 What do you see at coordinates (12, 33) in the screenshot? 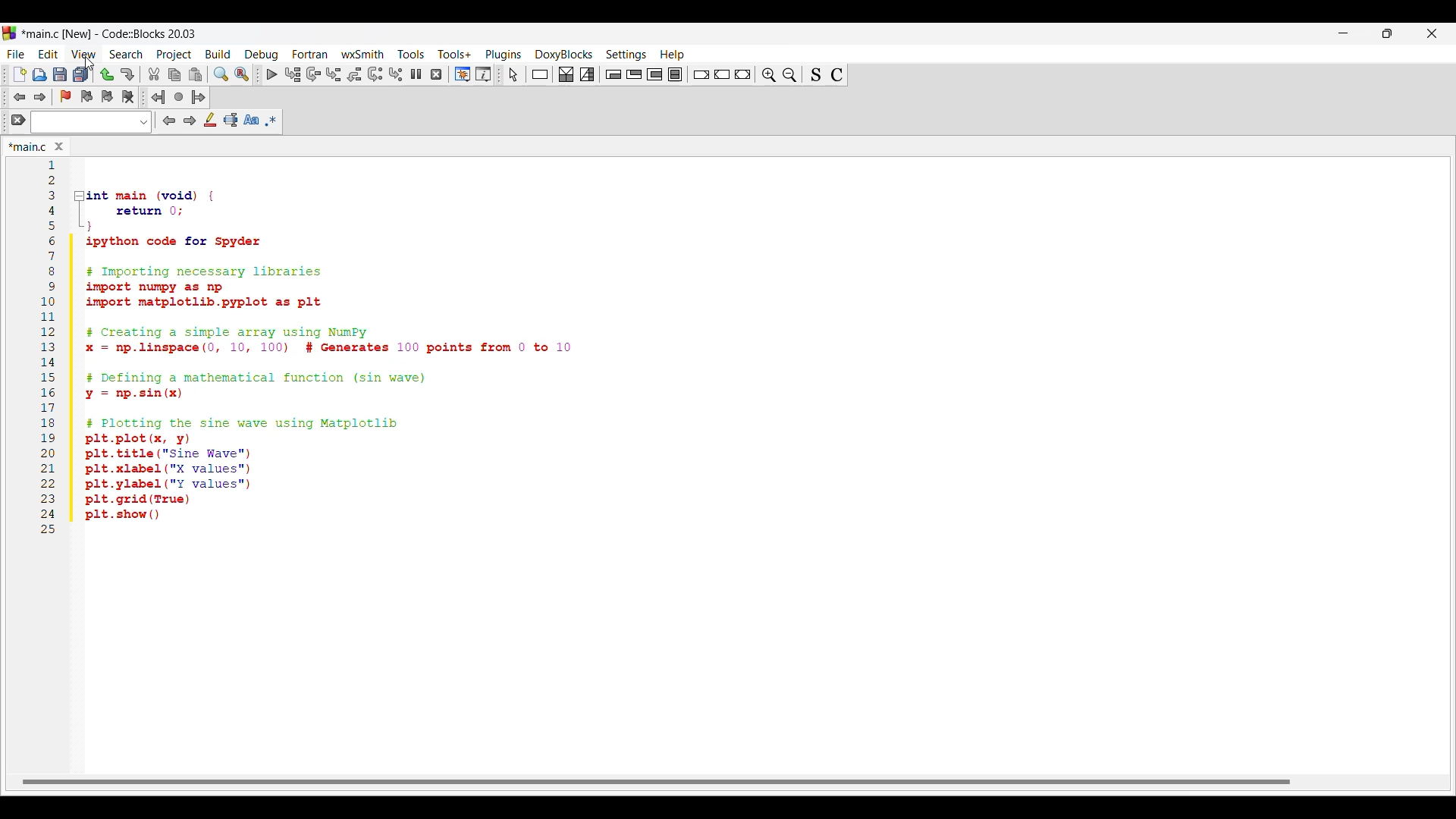
I see `codeblock logo` at bounding box center [12, 33].